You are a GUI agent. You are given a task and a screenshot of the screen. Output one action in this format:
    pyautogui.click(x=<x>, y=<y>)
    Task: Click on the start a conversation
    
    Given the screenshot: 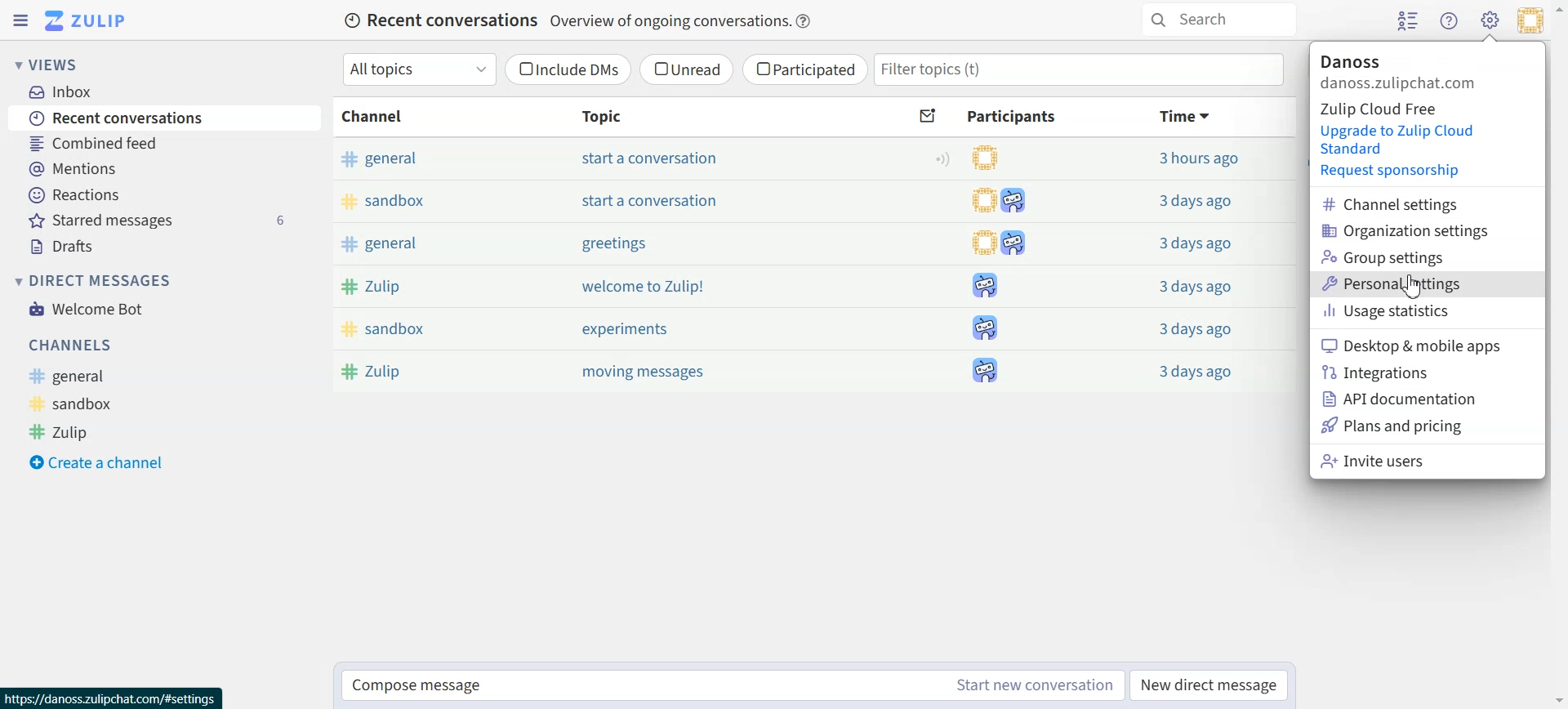 What is the action you would take?
    pyautogui.click(x=657, y=200)
    